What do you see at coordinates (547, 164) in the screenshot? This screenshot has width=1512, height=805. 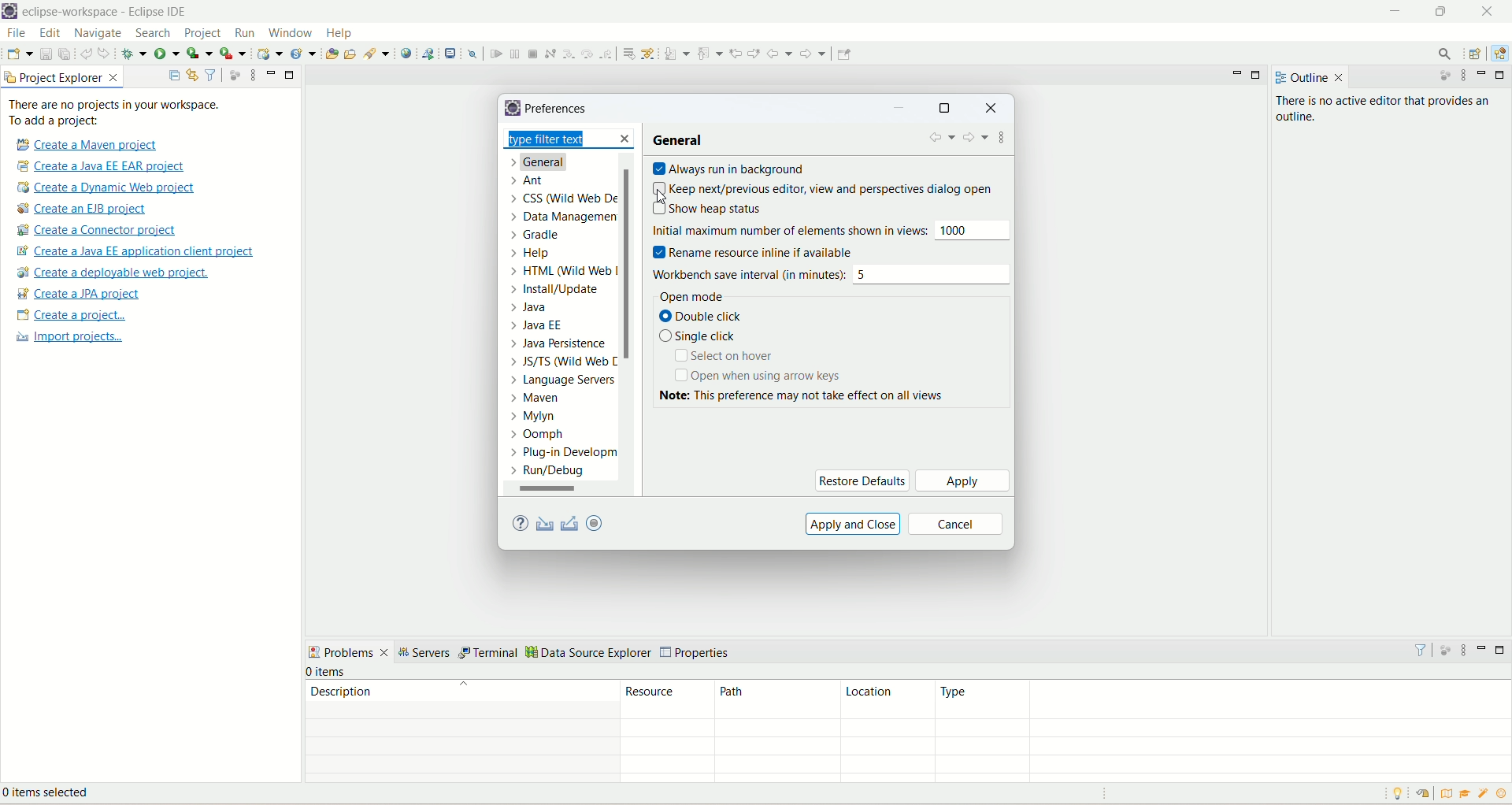 I see `general` at bounding box center [547, 164].